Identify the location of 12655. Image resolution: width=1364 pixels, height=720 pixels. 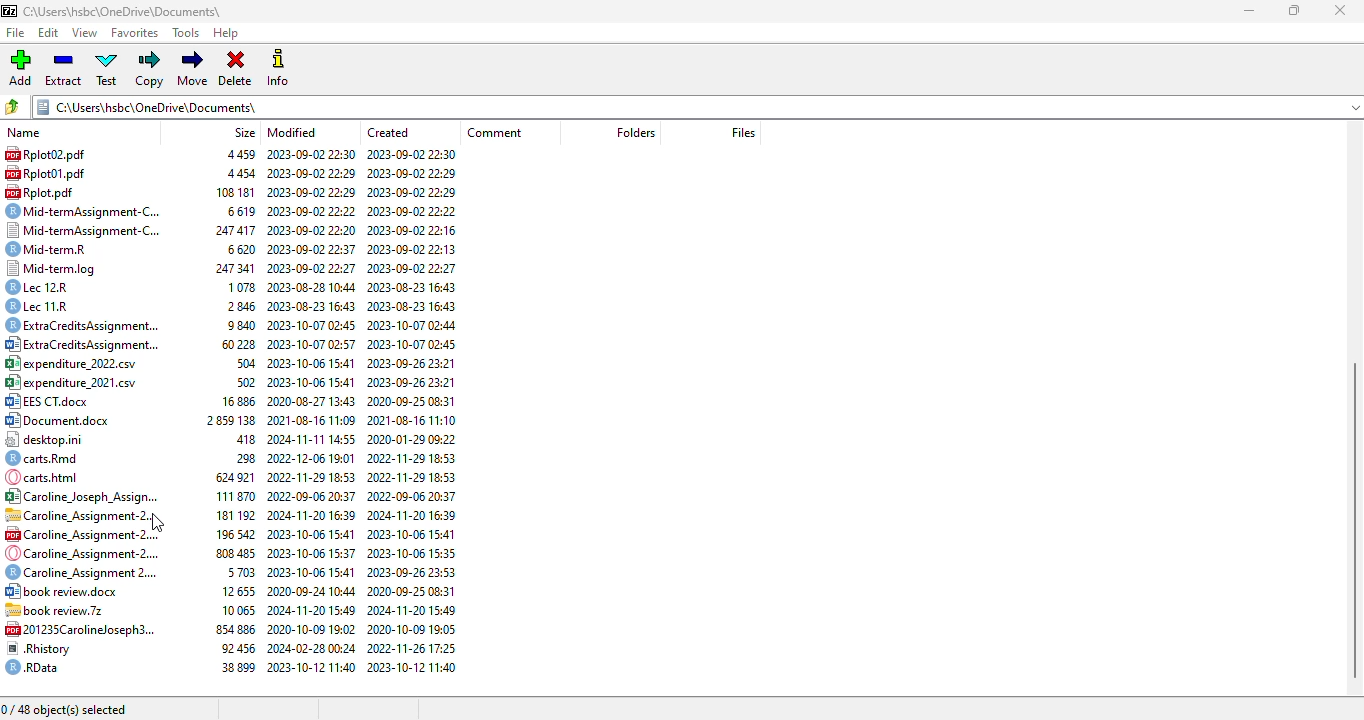
(240, 592).